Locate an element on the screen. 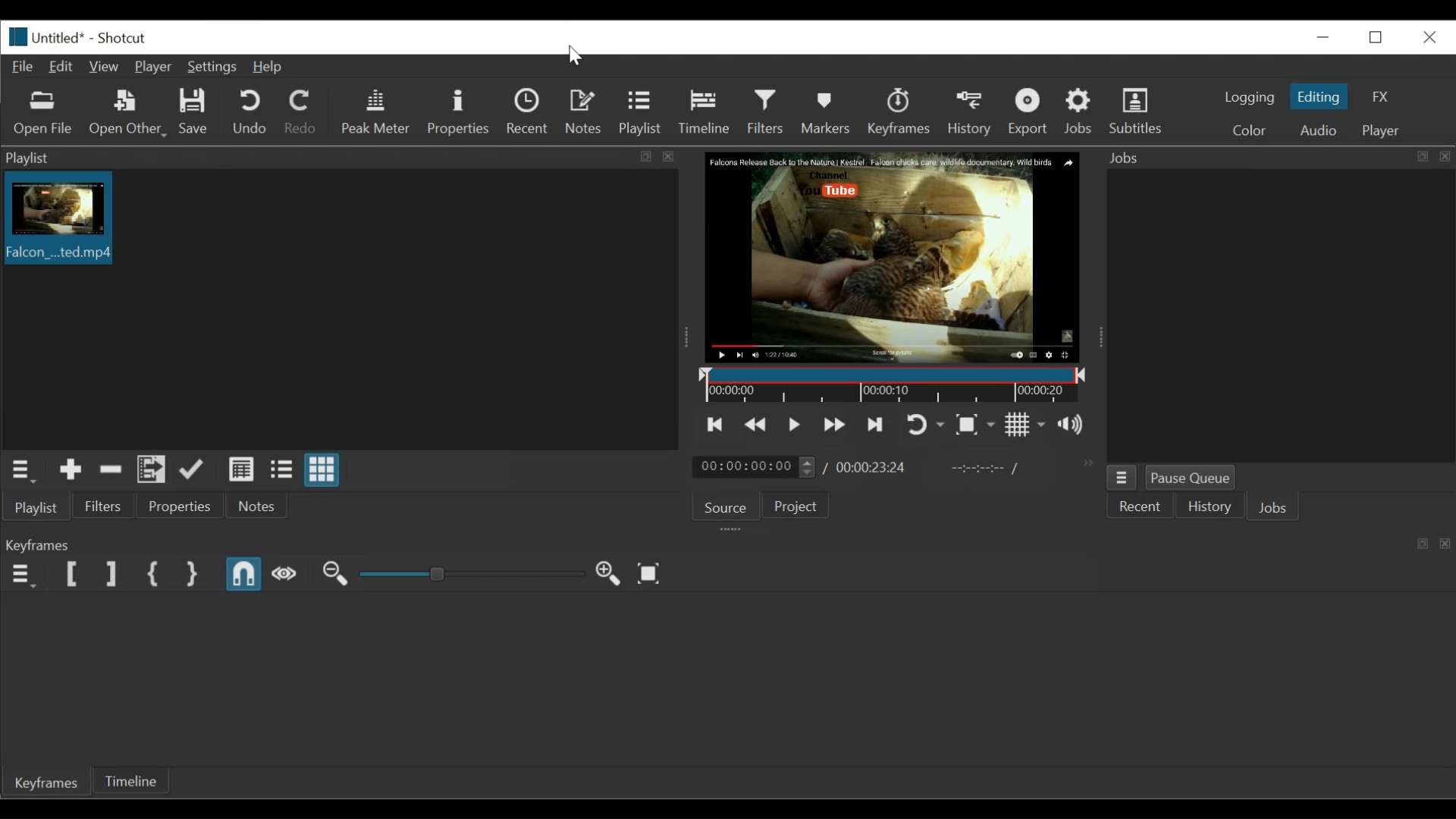  Redo is located at coordinates (304, 113).